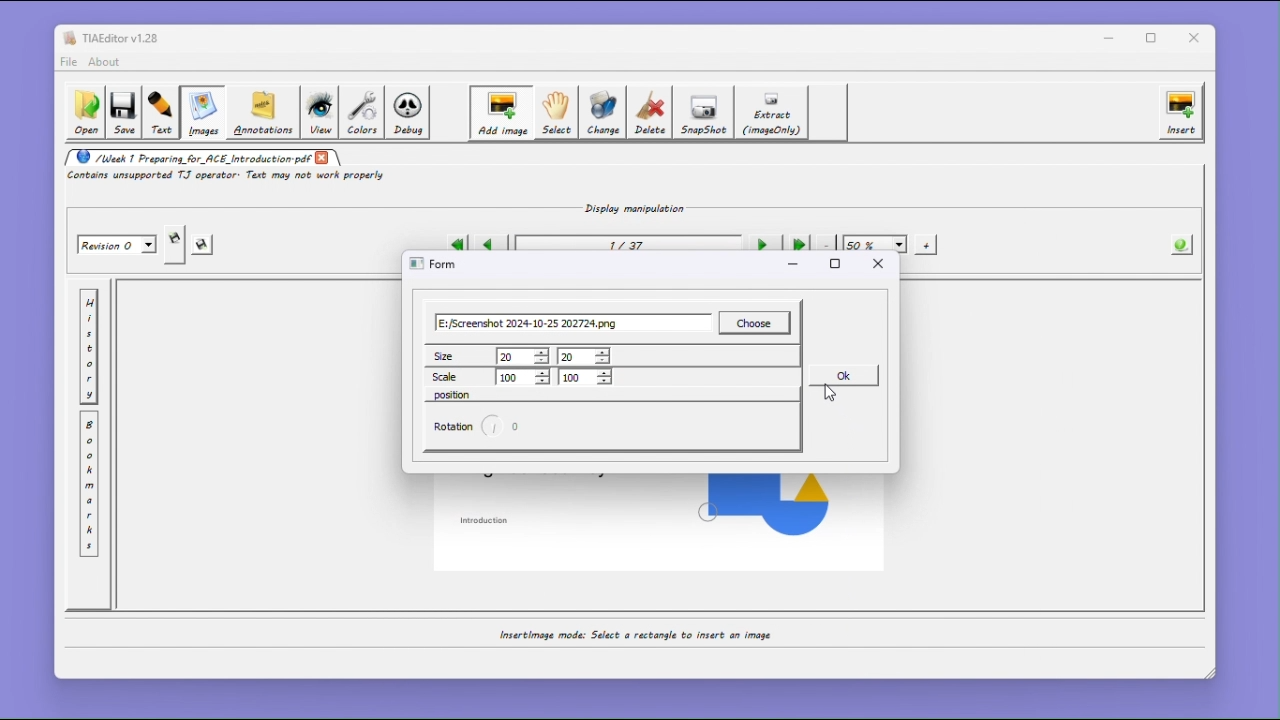  I want to click on Change, so click(604, 112).